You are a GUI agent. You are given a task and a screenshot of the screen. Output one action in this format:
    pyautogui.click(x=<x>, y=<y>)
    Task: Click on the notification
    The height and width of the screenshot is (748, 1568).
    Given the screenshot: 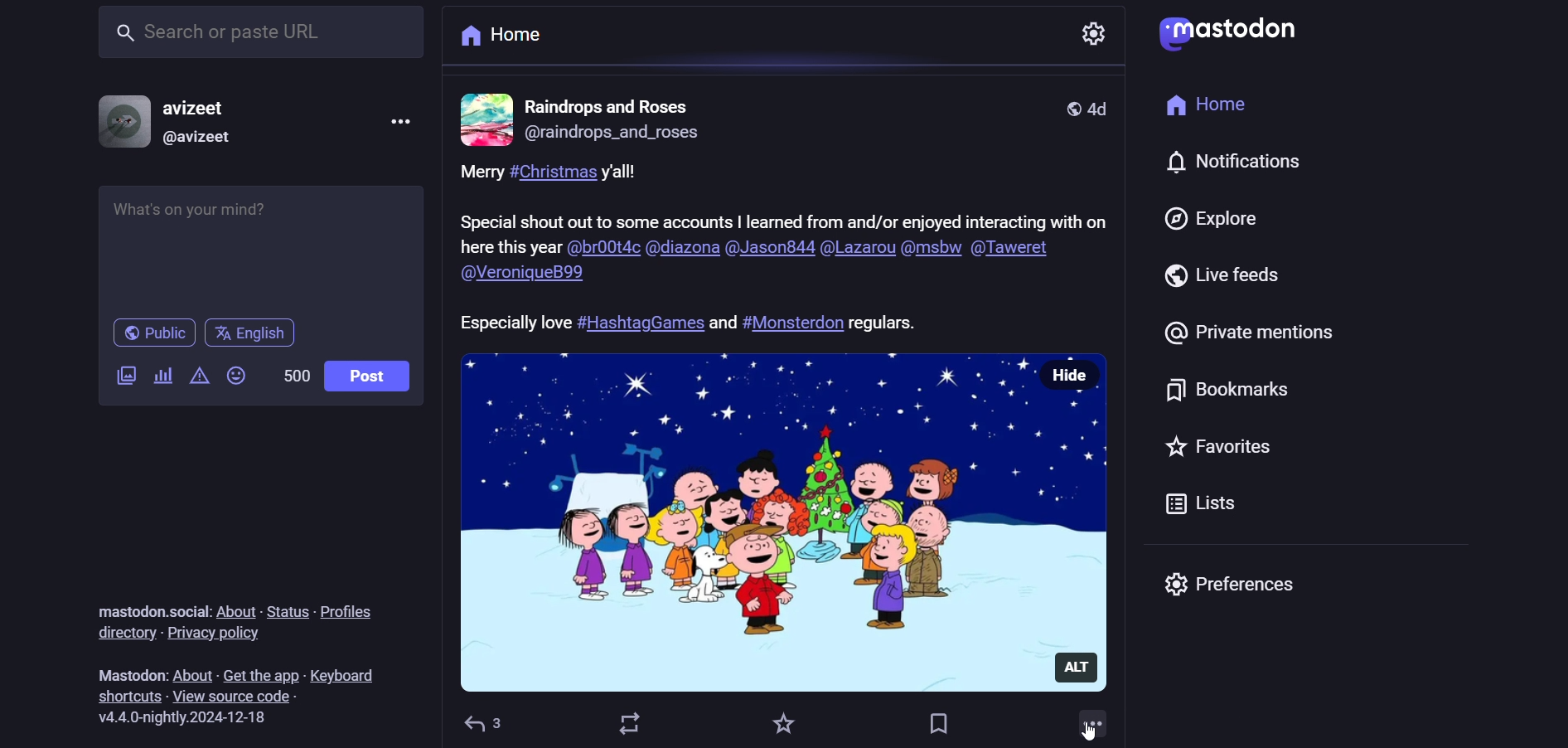 What is the action you would take?
    pyautogui.click(x=1251, y=163)
    